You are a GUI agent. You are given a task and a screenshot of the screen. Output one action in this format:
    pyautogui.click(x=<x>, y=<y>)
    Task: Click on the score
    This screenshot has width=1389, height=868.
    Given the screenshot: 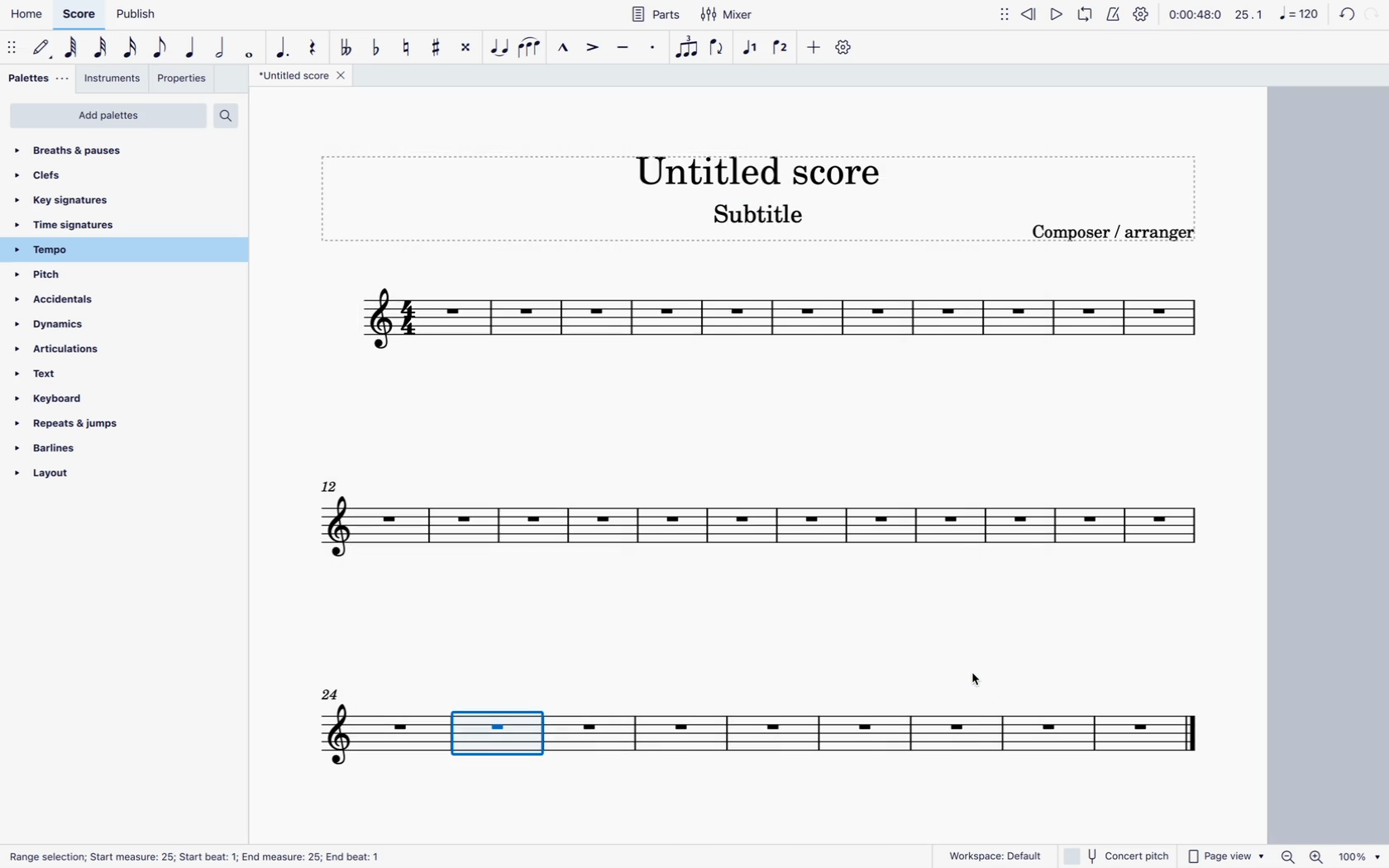 What is the action you would take?
    pyautogui.click(x=908, y=736)
    